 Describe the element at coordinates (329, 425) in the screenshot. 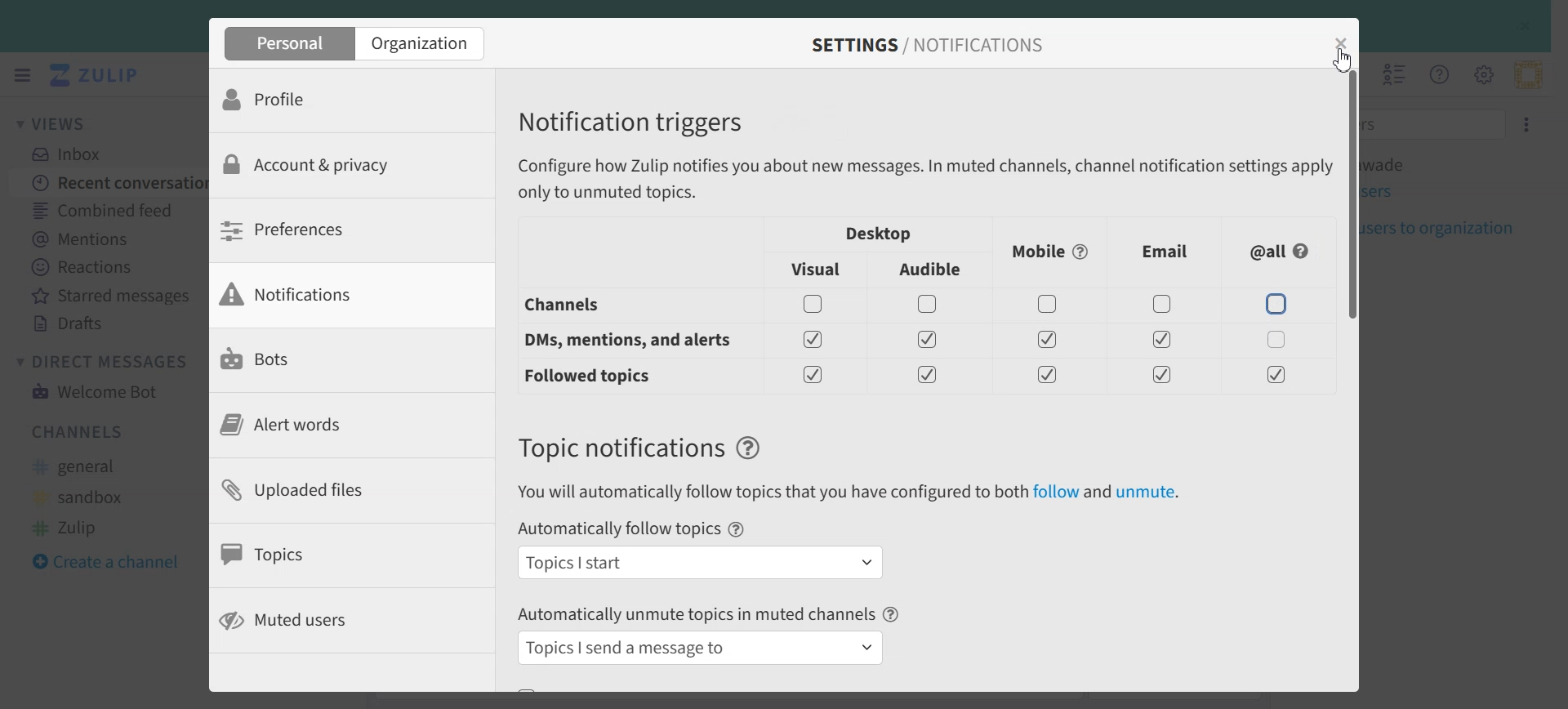

I see `Alert words ` at that location.